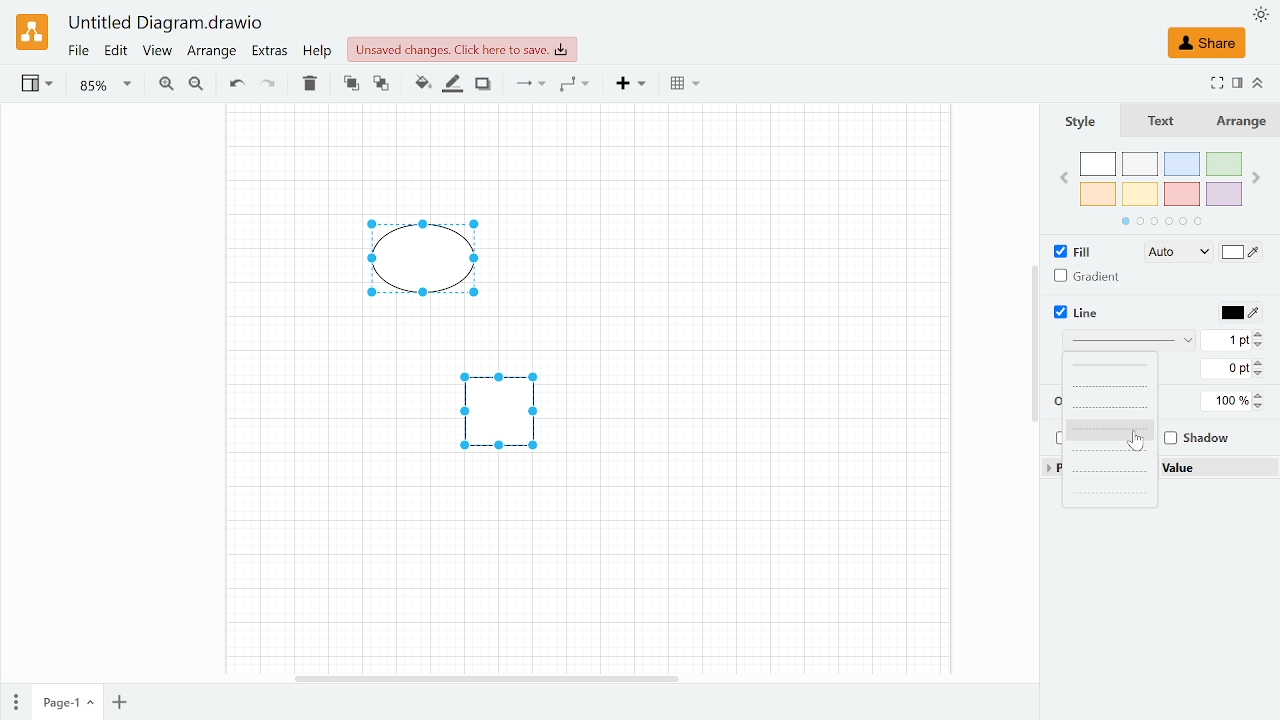 The image size is (1280, 720). Describe the element at coordinates (268, 85) in the screenshot. I see `Redo` at that location.